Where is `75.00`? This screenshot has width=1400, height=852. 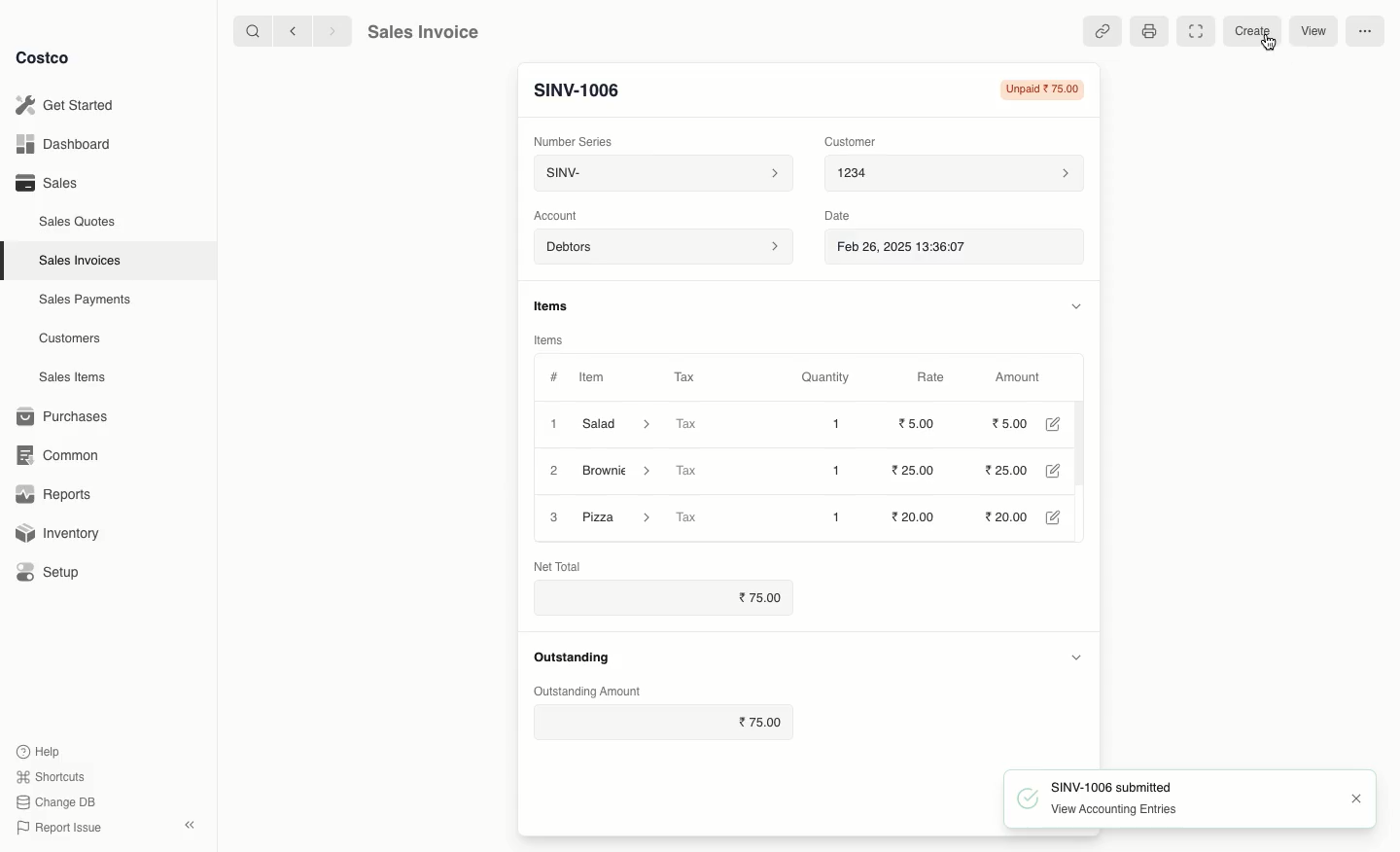
75.00 is located at coordinates (763, 598).